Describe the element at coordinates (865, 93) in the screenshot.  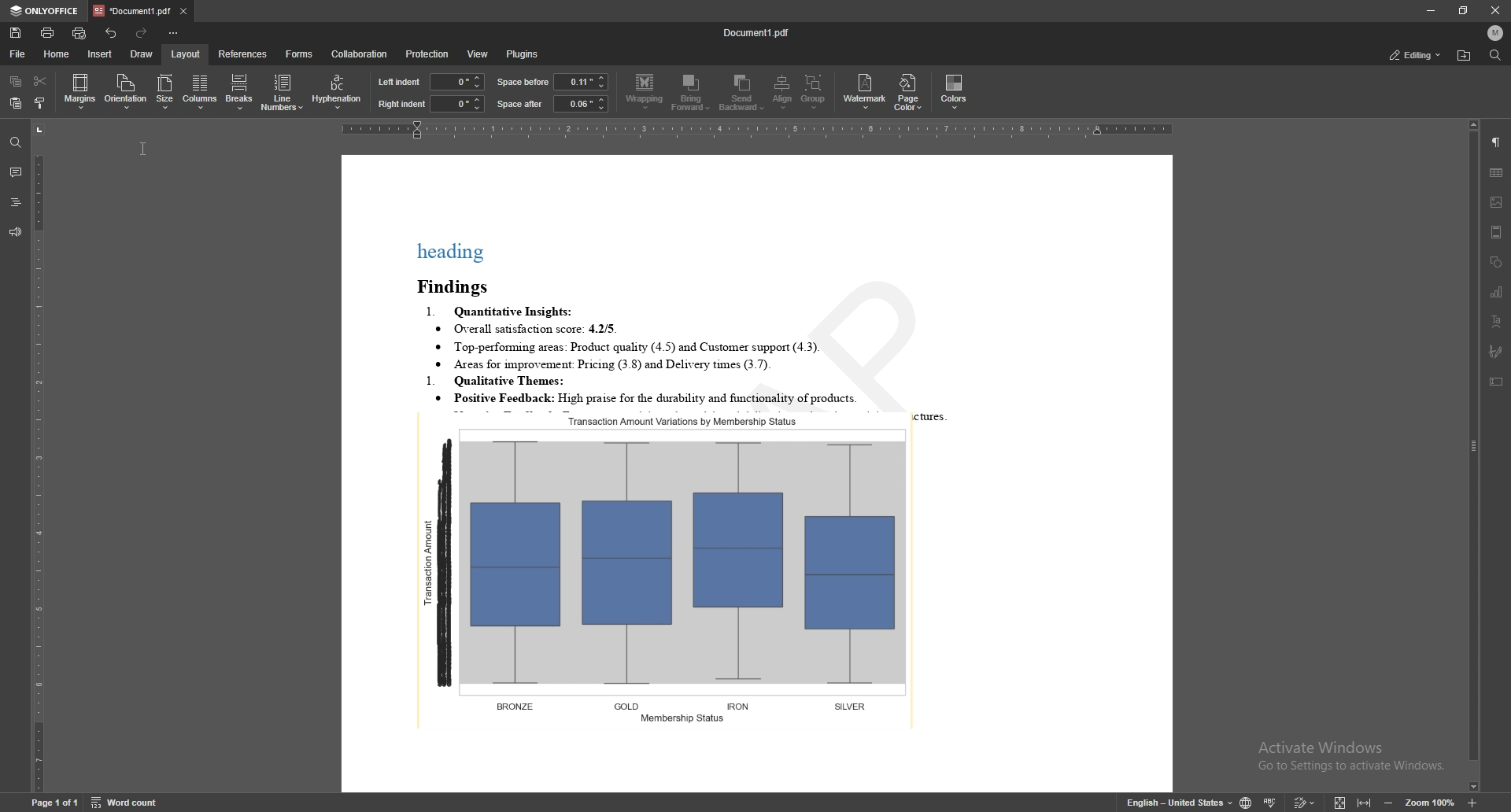
I see `watermark` at that location.